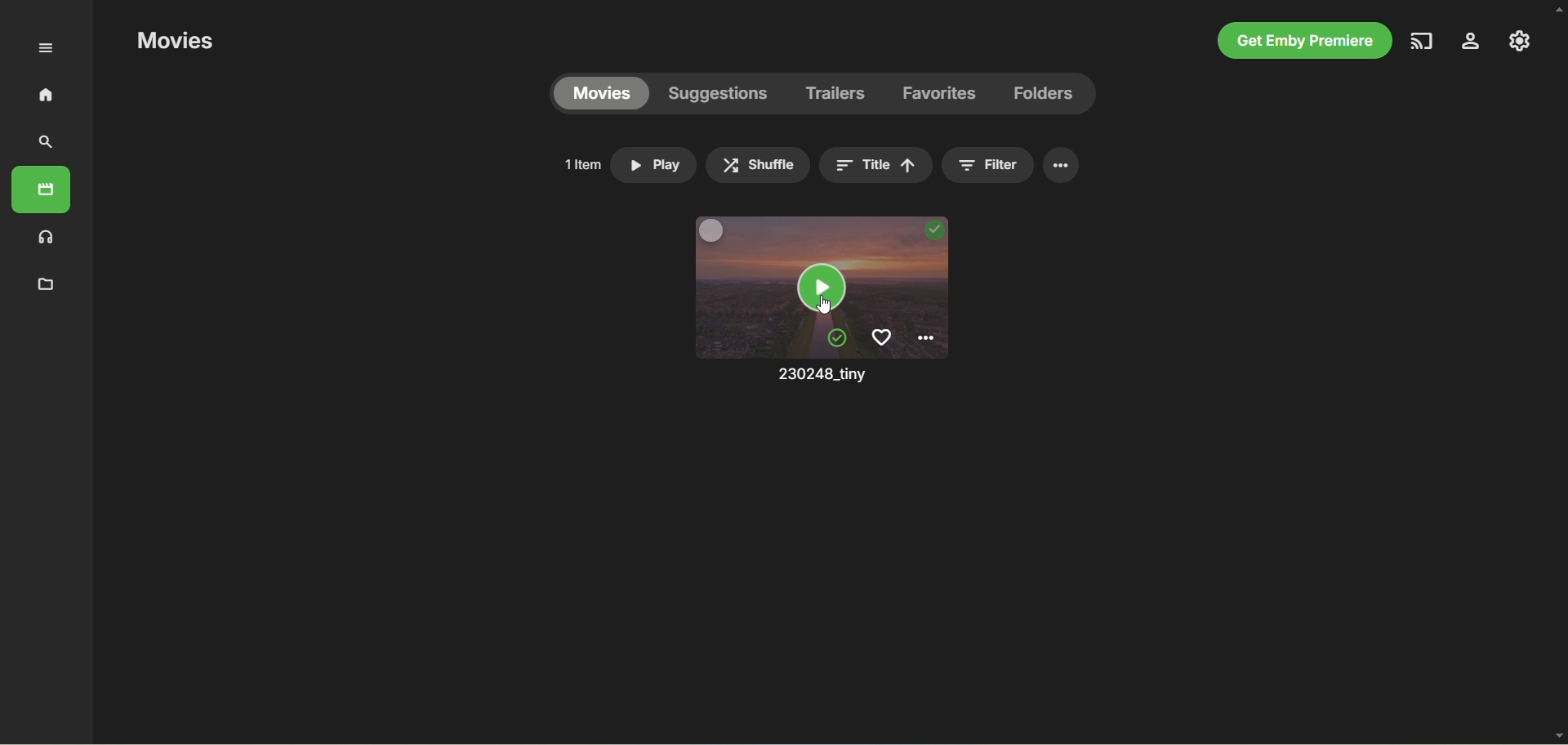  I want to click on shuffle, so click(759, 166).